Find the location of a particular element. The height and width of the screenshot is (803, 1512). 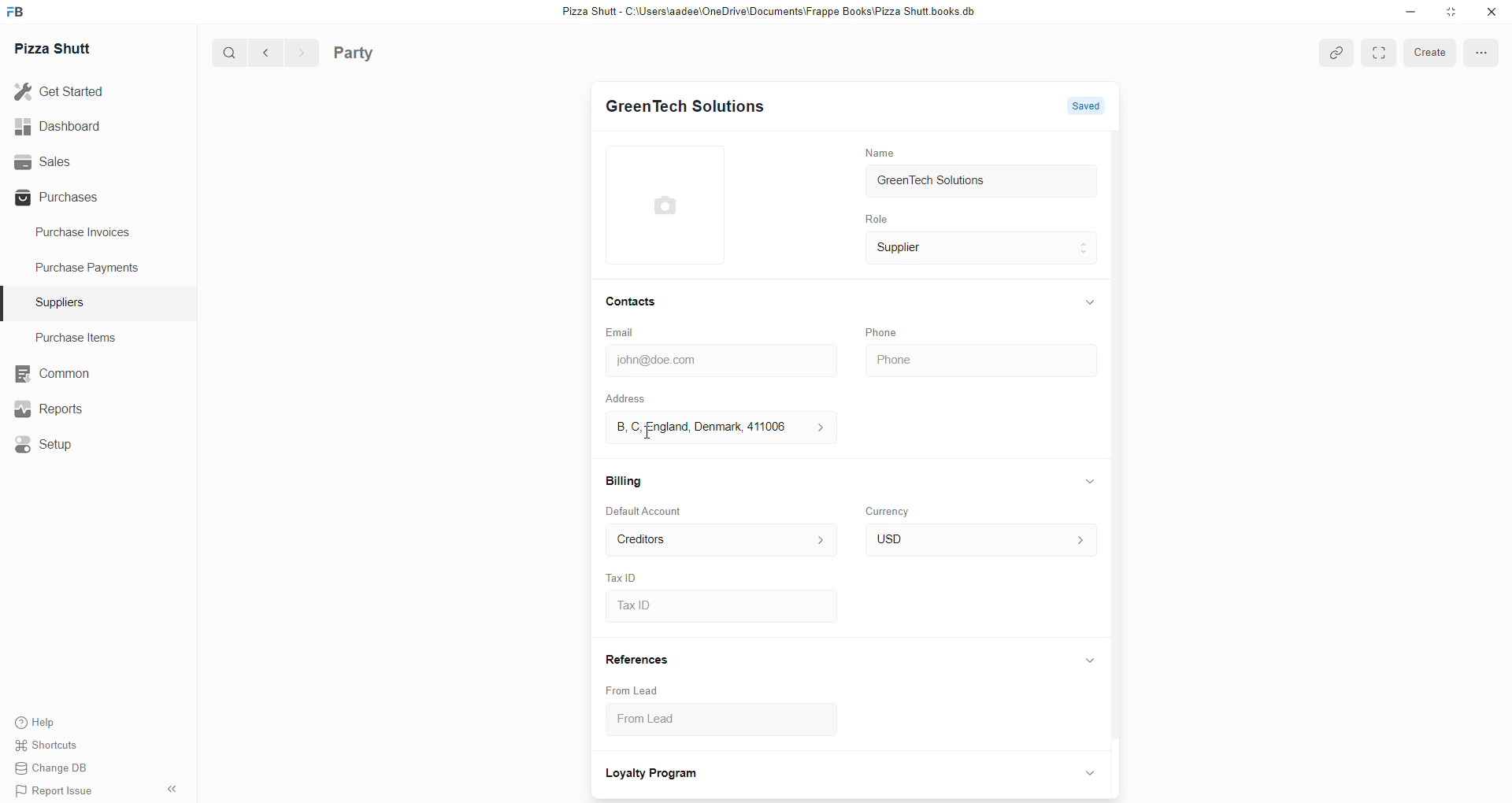

References is located at coordinates (637, 661).